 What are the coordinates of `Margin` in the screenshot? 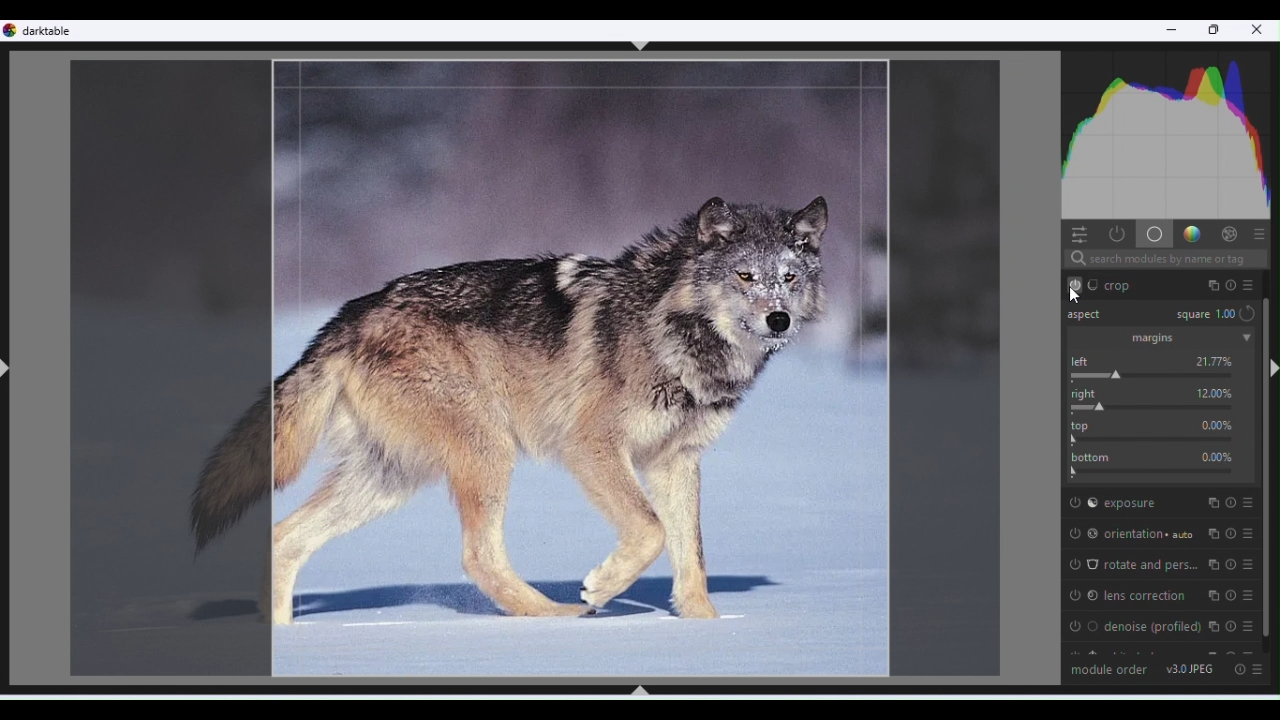 It's located at (1160, 338).